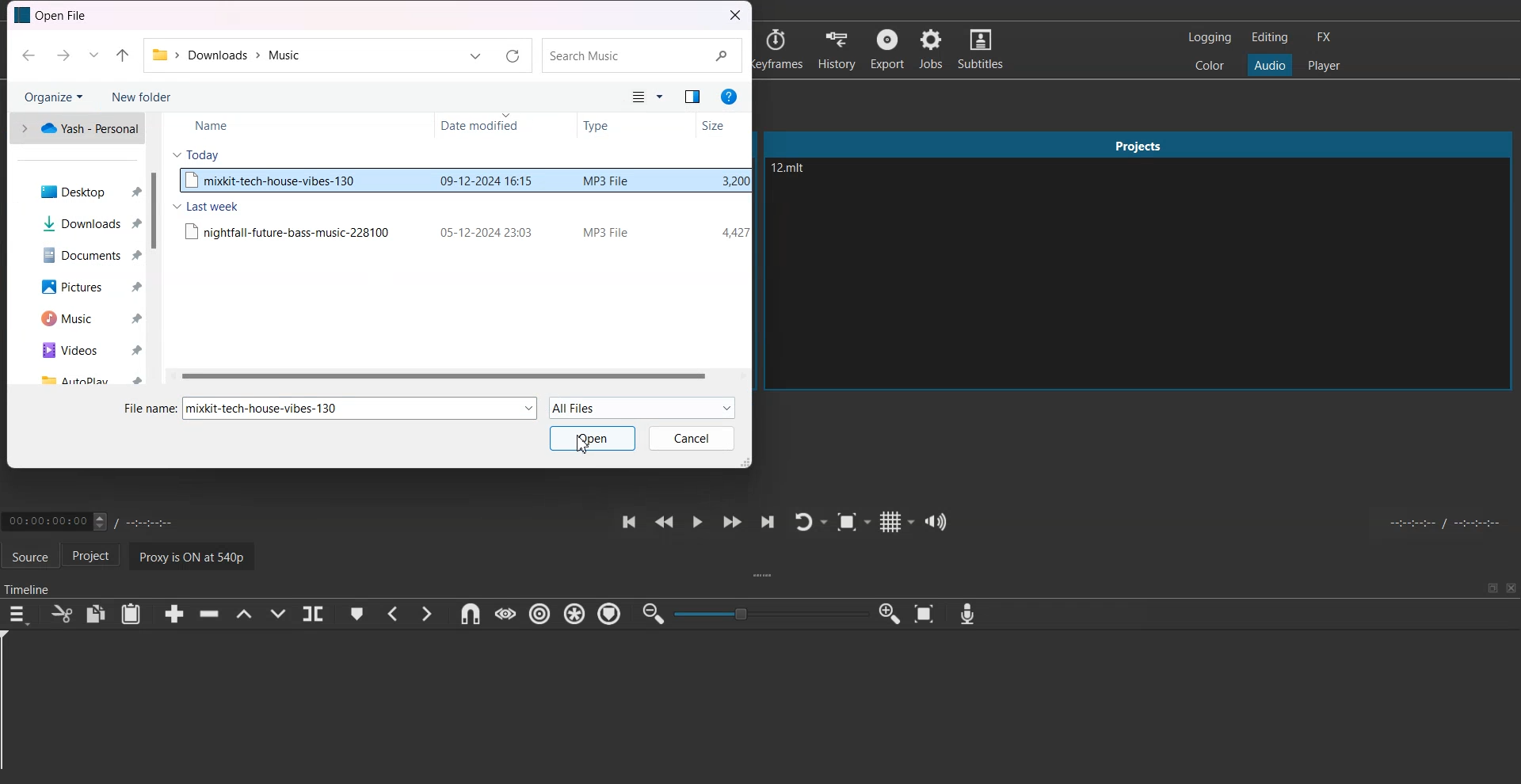 This screenshot has height=784, width=1521. Describe the element at coordinates (542, 615) in the screenshot. I see `Ripple` at that location.